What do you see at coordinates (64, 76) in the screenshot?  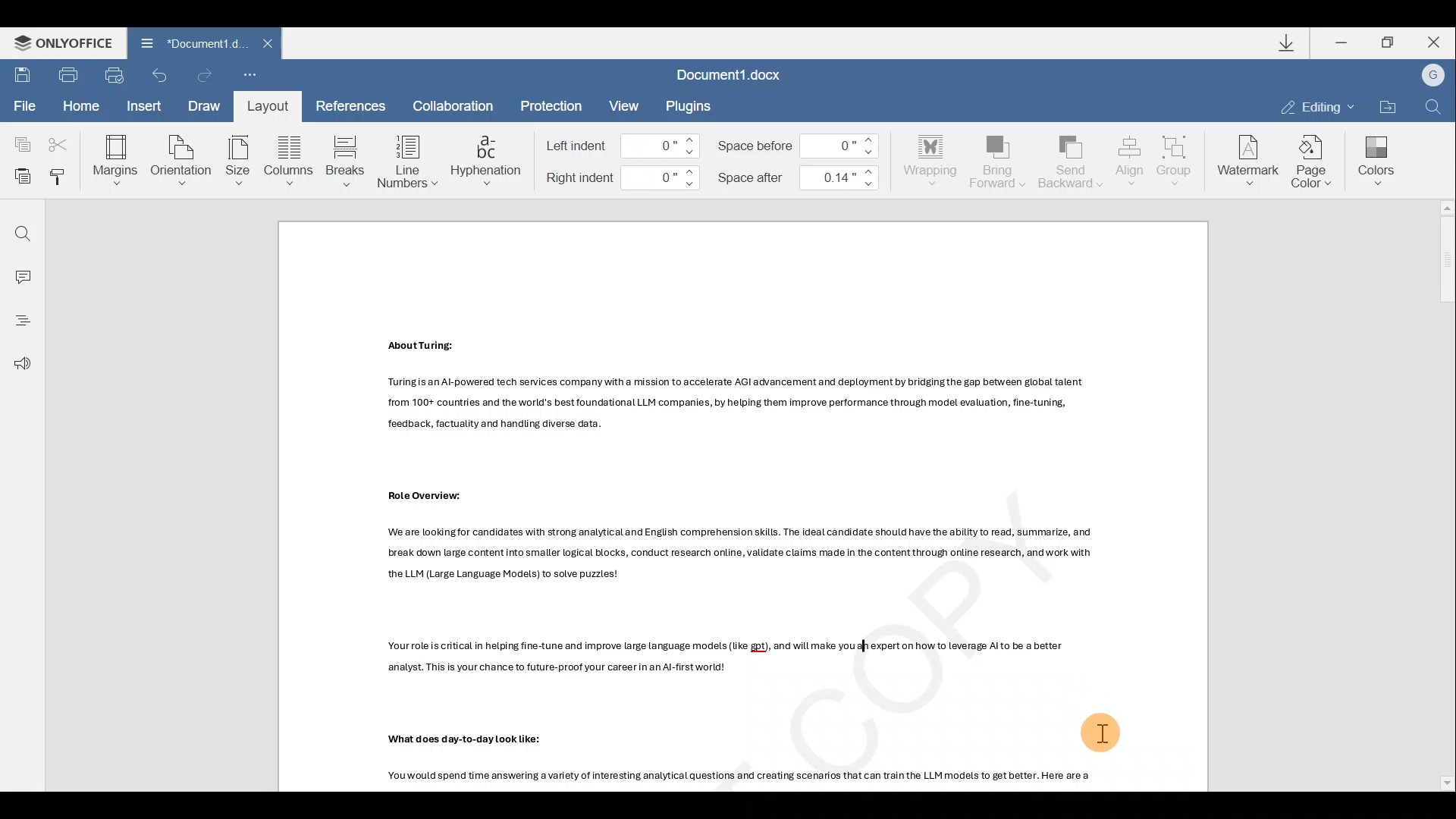 I see `Print file` at bounding box center [64, 76].